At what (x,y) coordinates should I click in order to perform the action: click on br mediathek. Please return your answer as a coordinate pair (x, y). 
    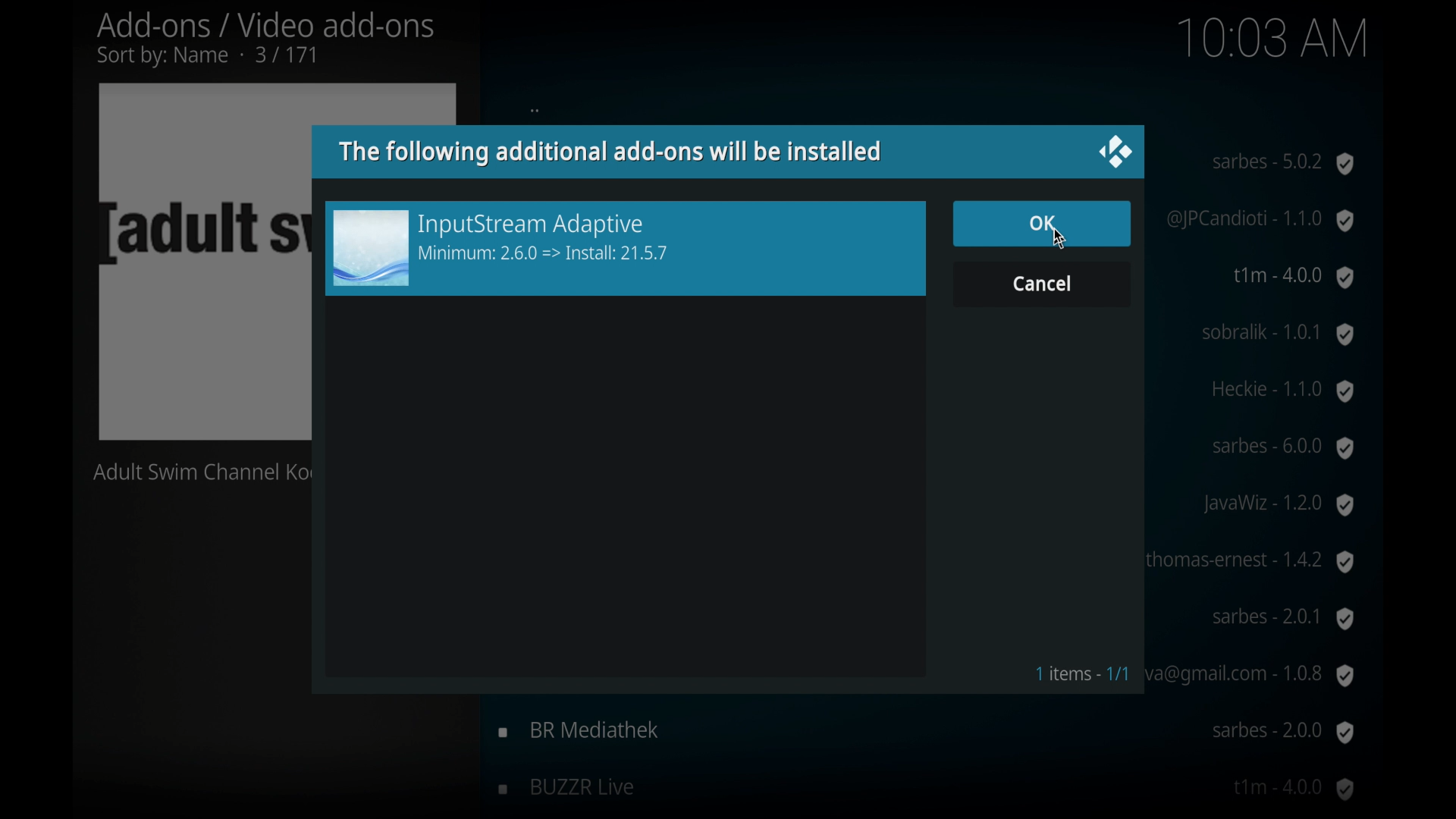
    Looking at the image, I should click on (924, 729).